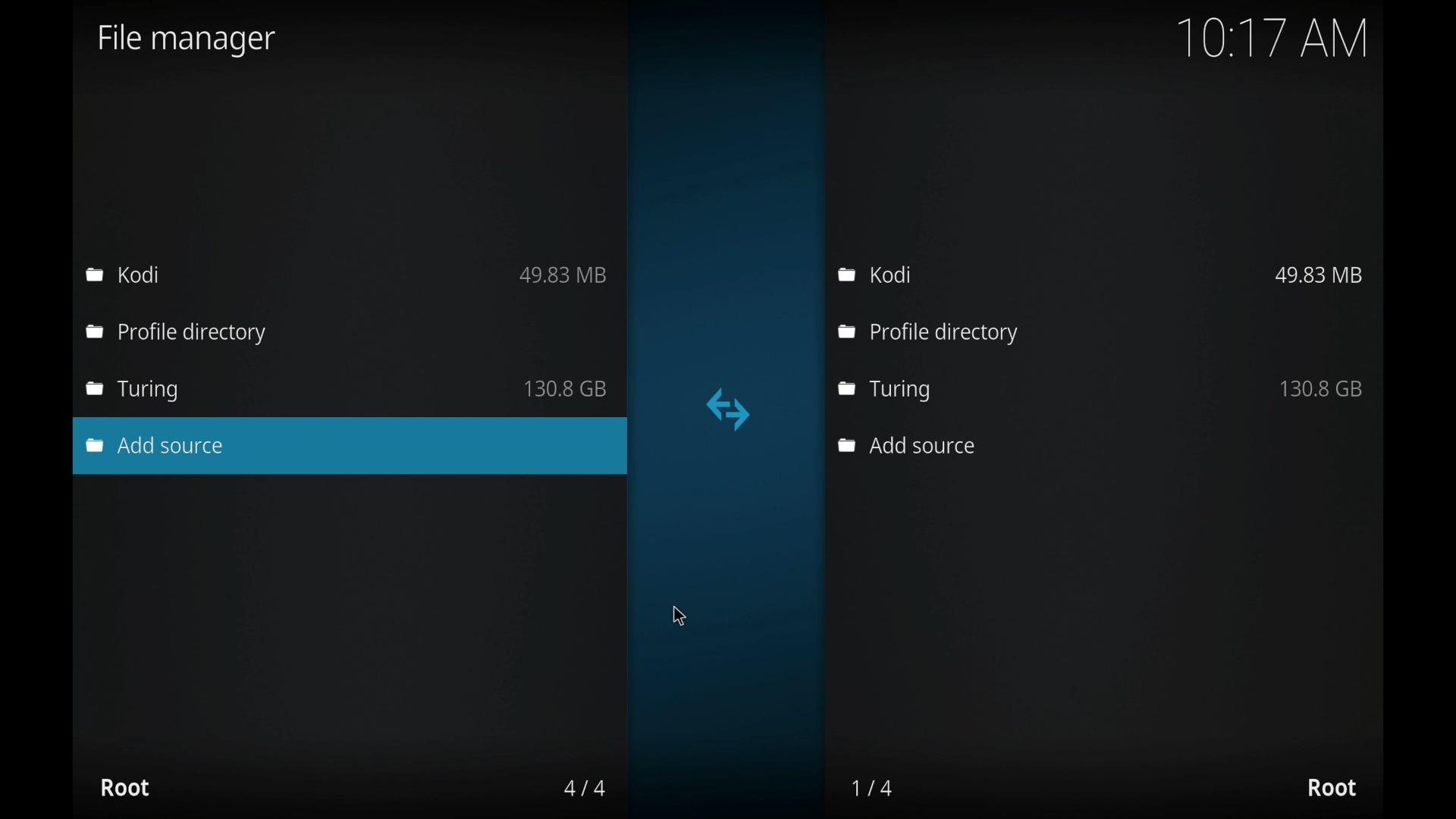 This screenshot has width=1456, height=819. Describe the element at coordinates (1319, 275) in the screenshot. I see `49.83 MB` at that location.